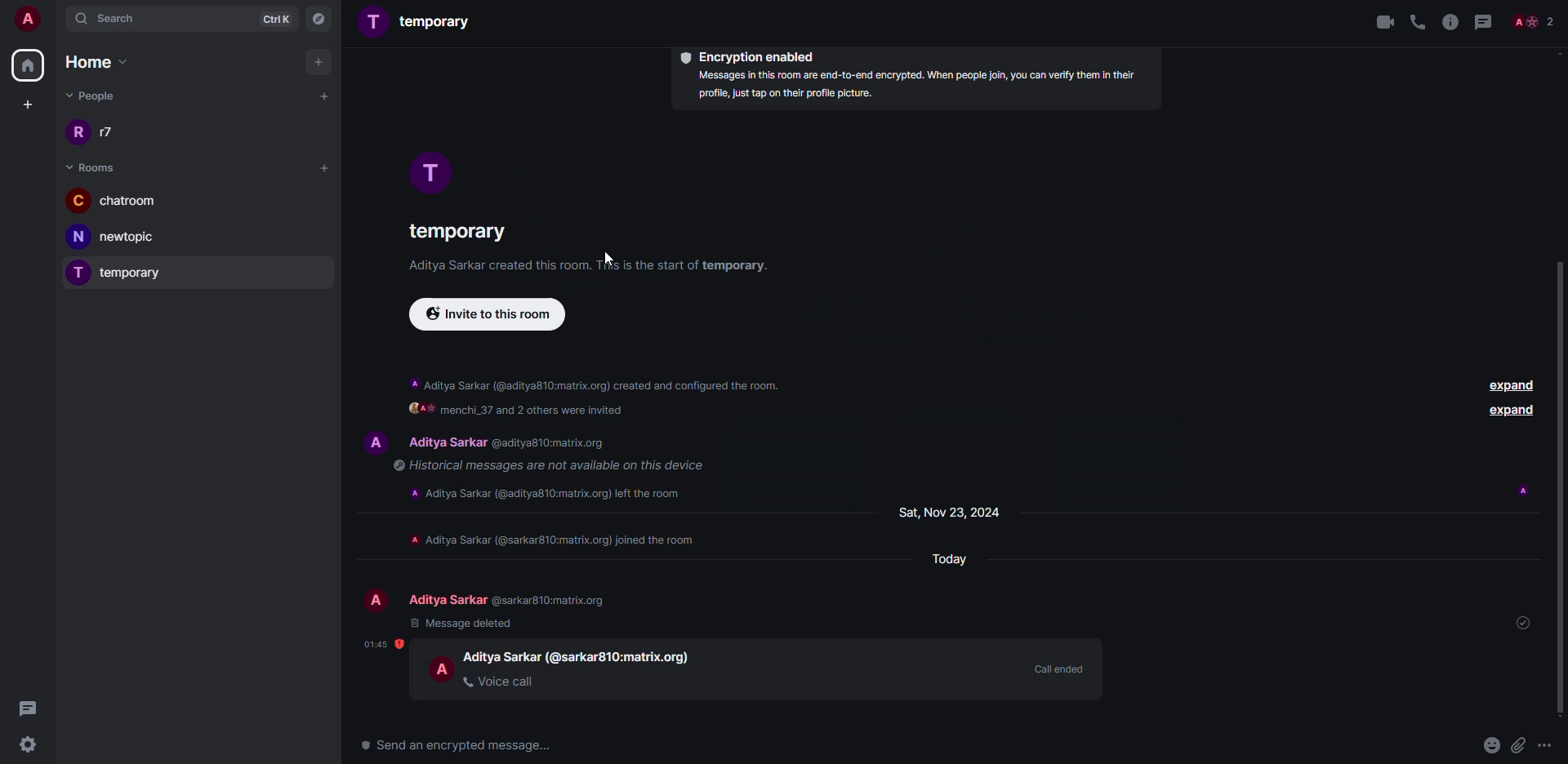 The width and height of the screenshot is (1568, 764). I want to click on create space, so click(25, 104).